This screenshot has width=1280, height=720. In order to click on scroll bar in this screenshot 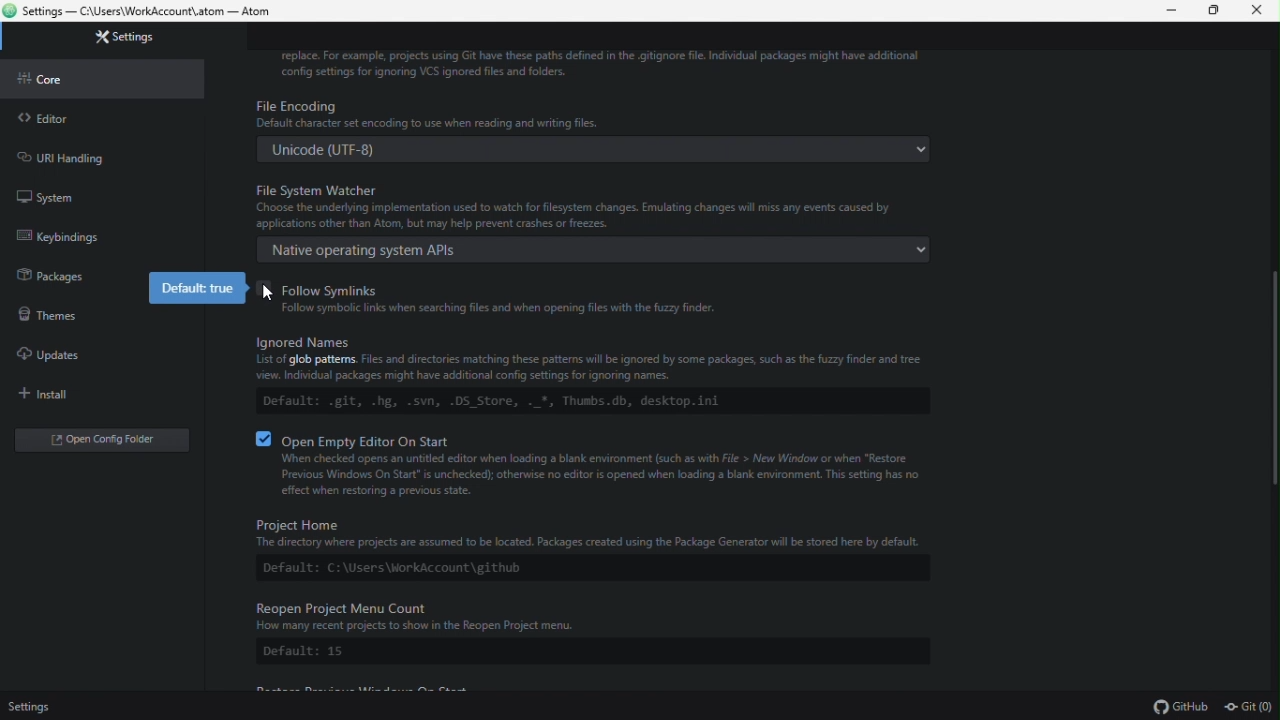, I will do `click(1271, 380)`.